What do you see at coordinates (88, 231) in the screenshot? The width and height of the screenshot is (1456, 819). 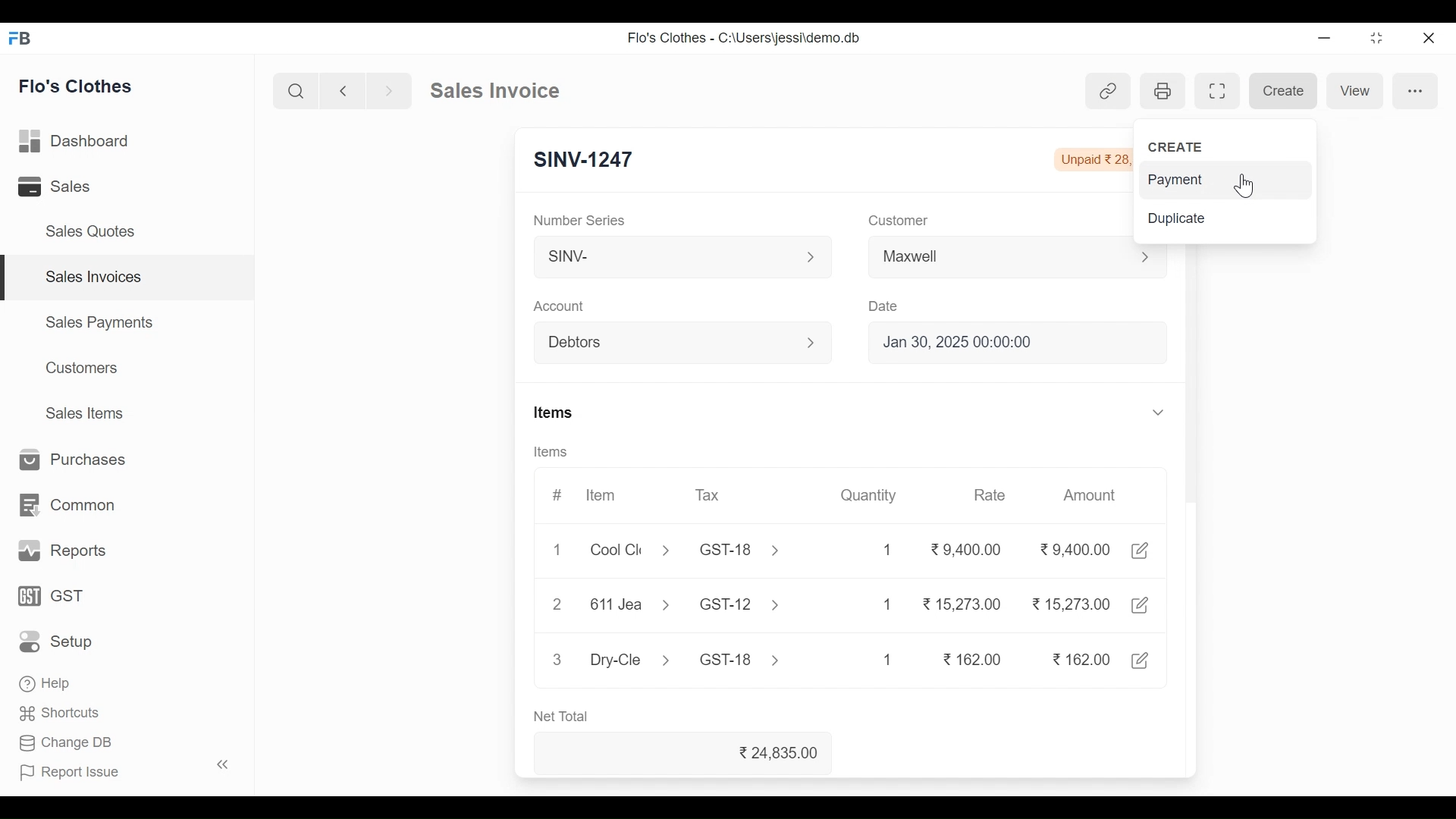 I see `Sales Quotes` at bounding box center [88, 231].